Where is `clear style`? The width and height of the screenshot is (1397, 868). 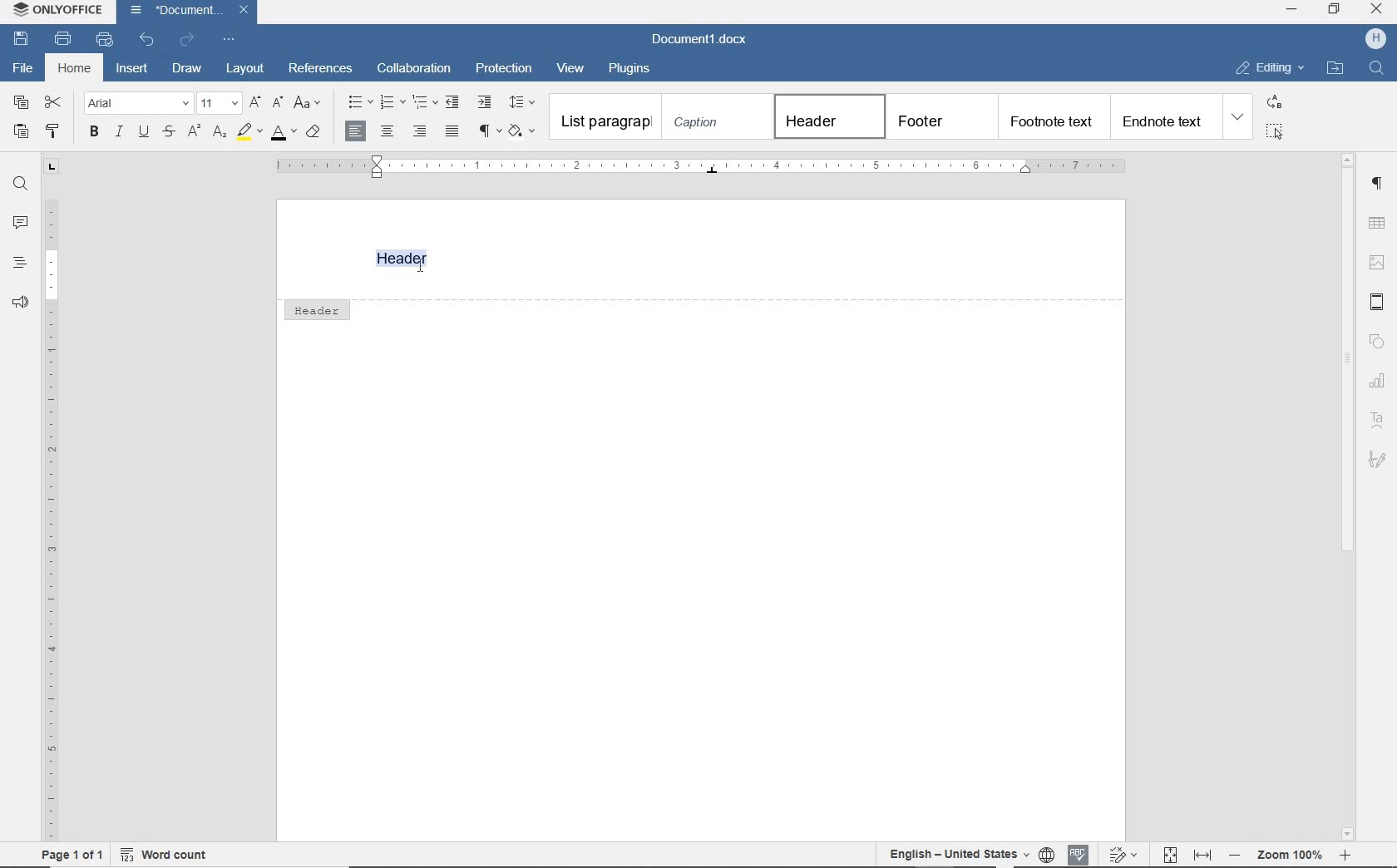 clear style is located at coordinates (313, 134).